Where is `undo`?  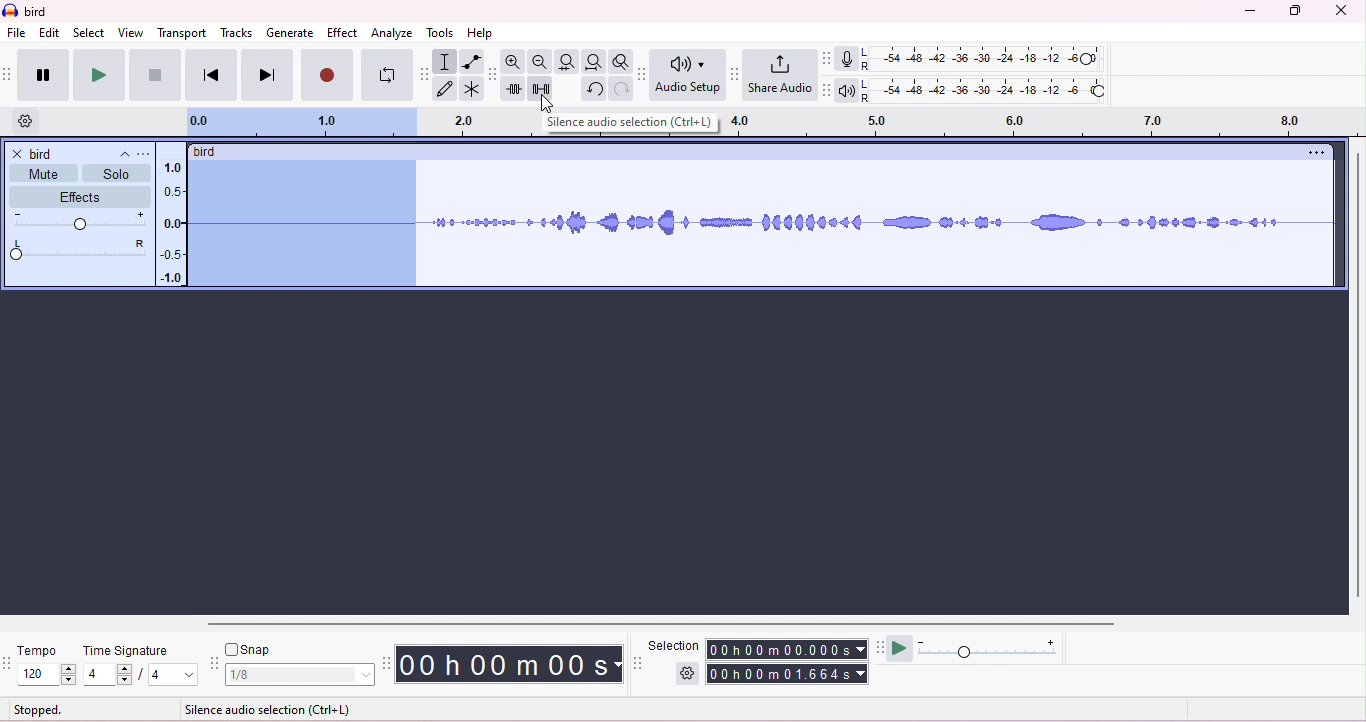 undo is located at coordinates (595, 89).